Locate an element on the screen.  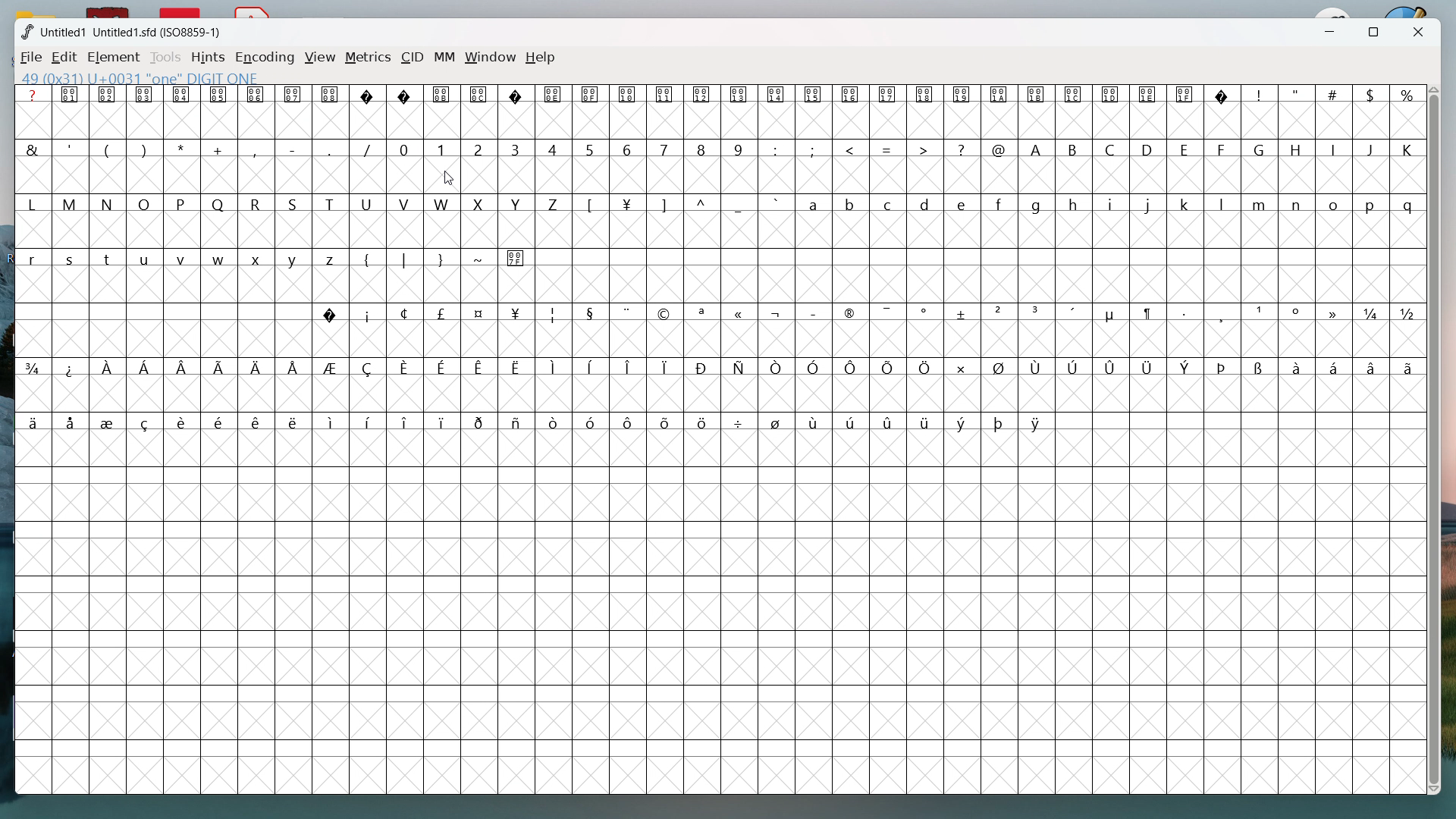
" is located at coordinates (1296, 94).